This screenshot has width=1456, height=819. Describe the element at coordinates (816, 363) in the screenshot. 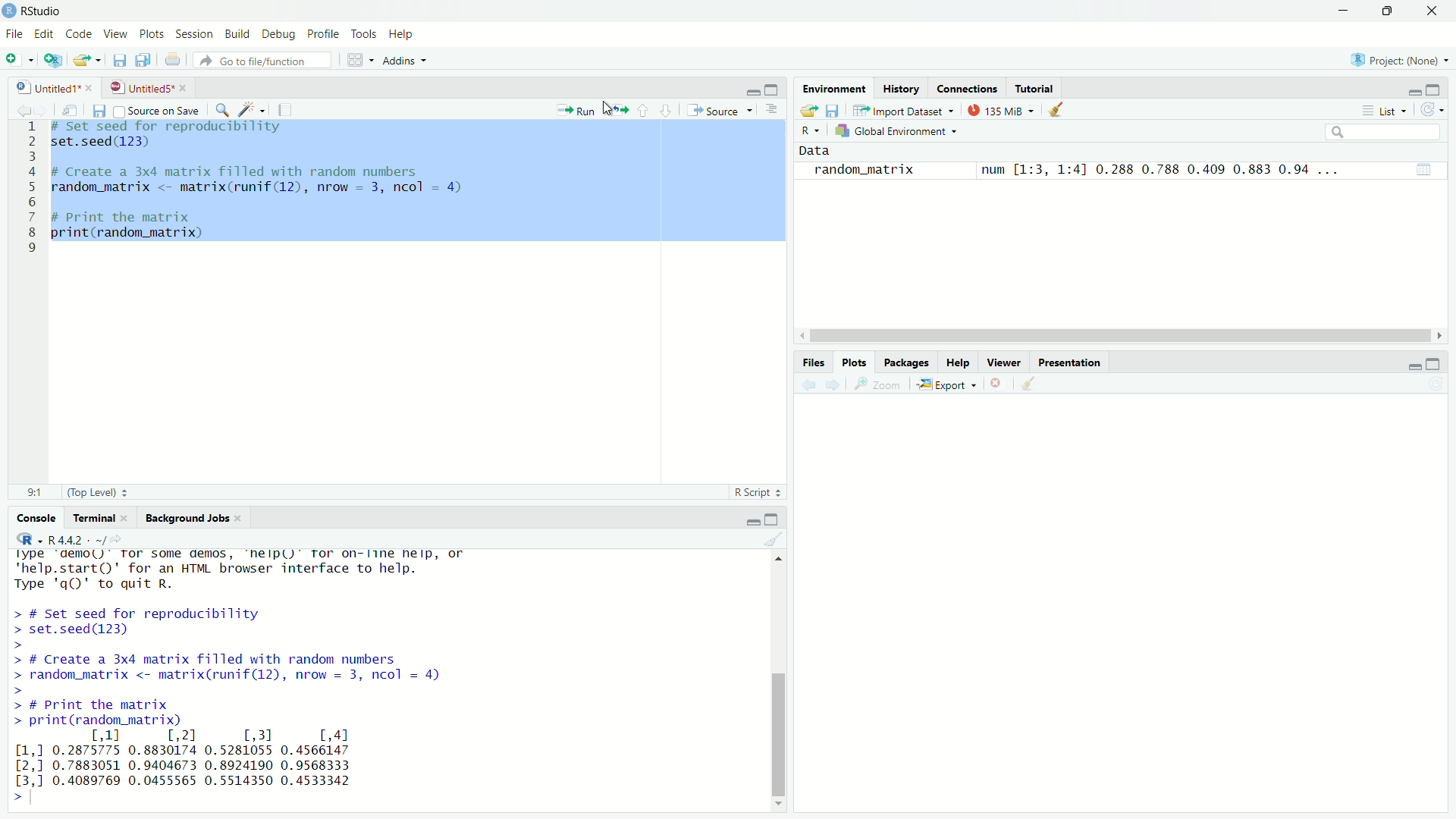

I see `Files` at that location.